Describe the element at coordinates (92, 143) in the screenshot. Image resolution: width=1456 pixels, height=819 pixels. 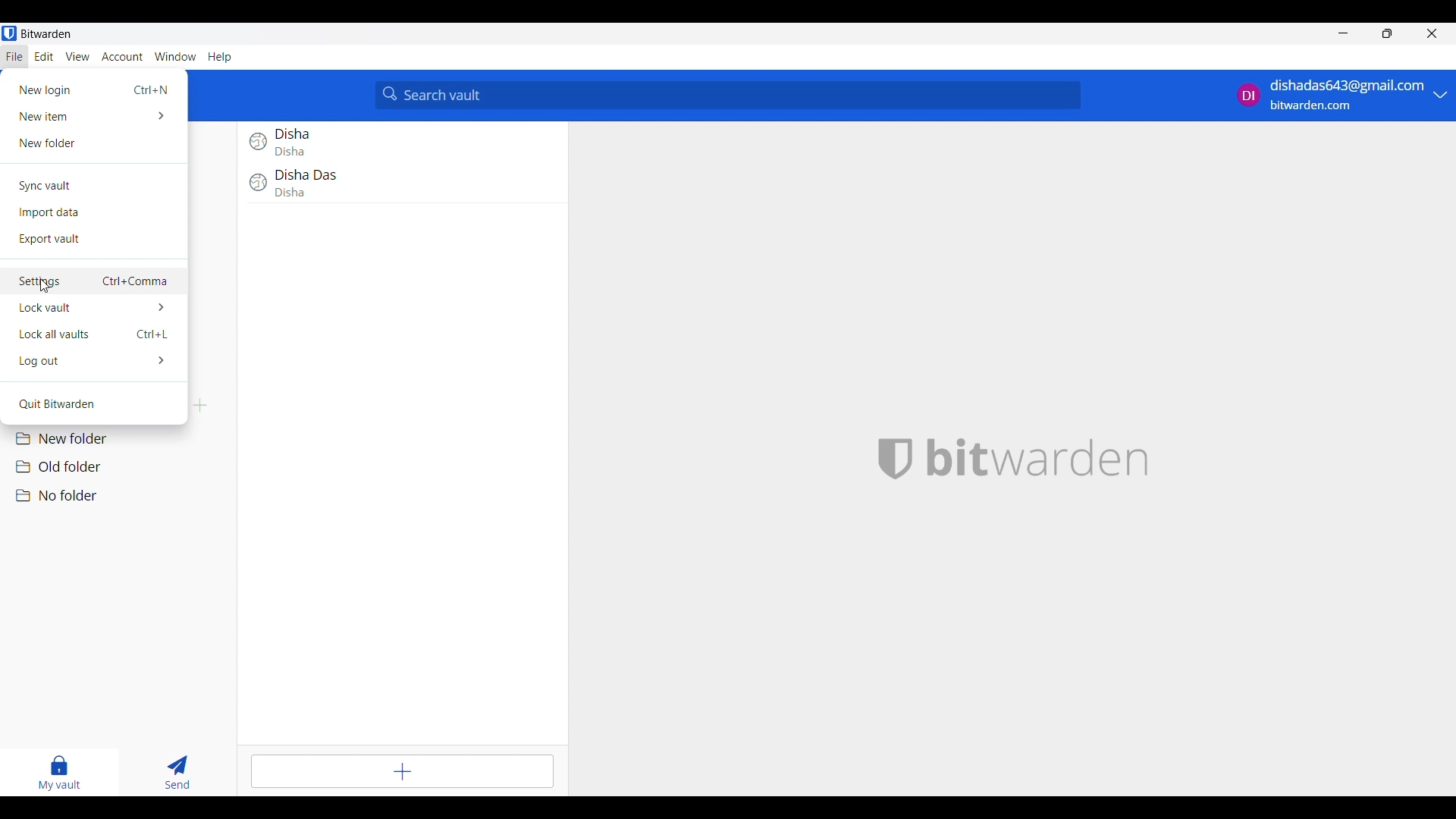
I see `New folder` at that location.